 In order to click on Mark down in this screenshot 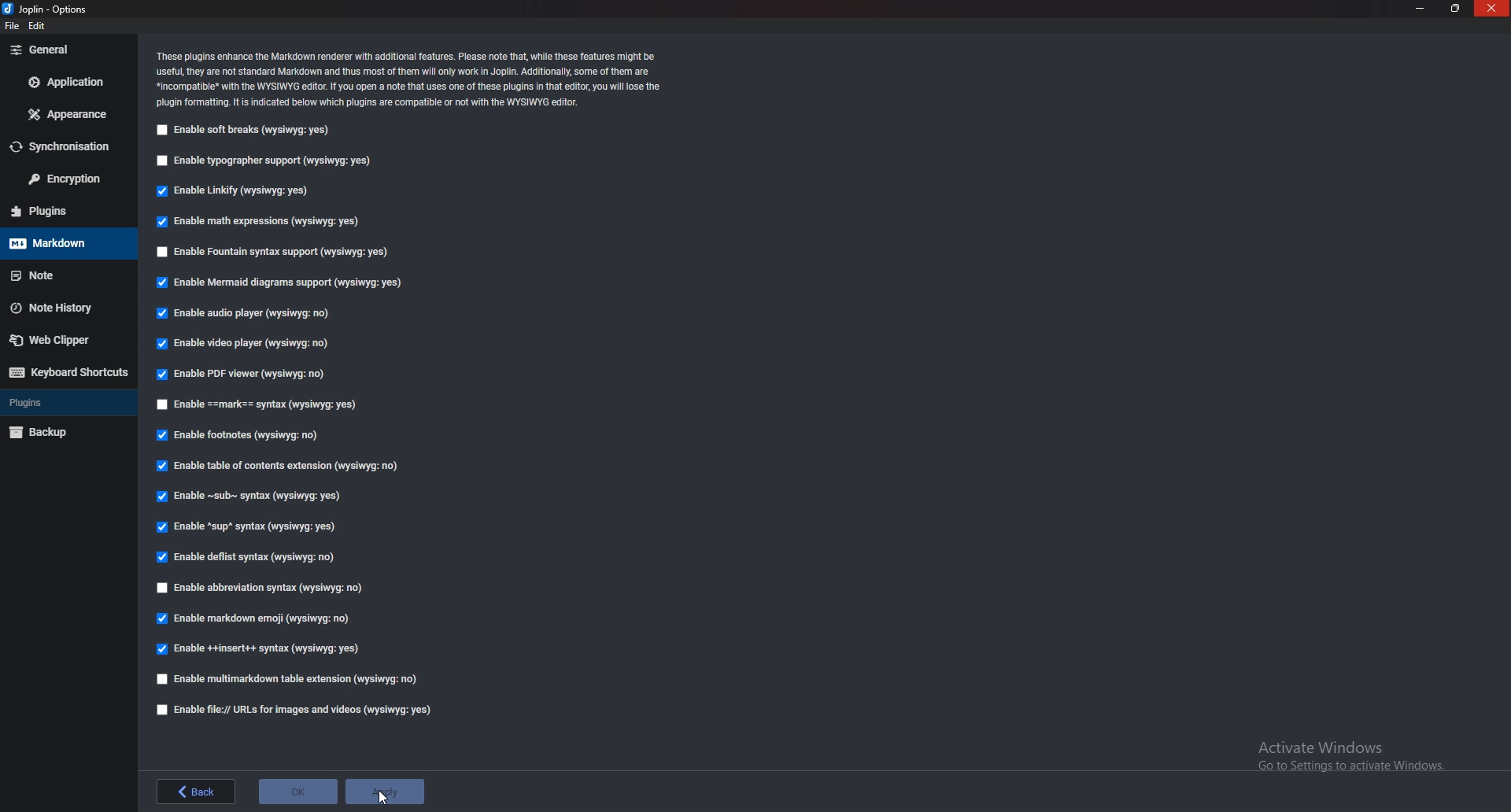, I will do `click(64, 244)`.